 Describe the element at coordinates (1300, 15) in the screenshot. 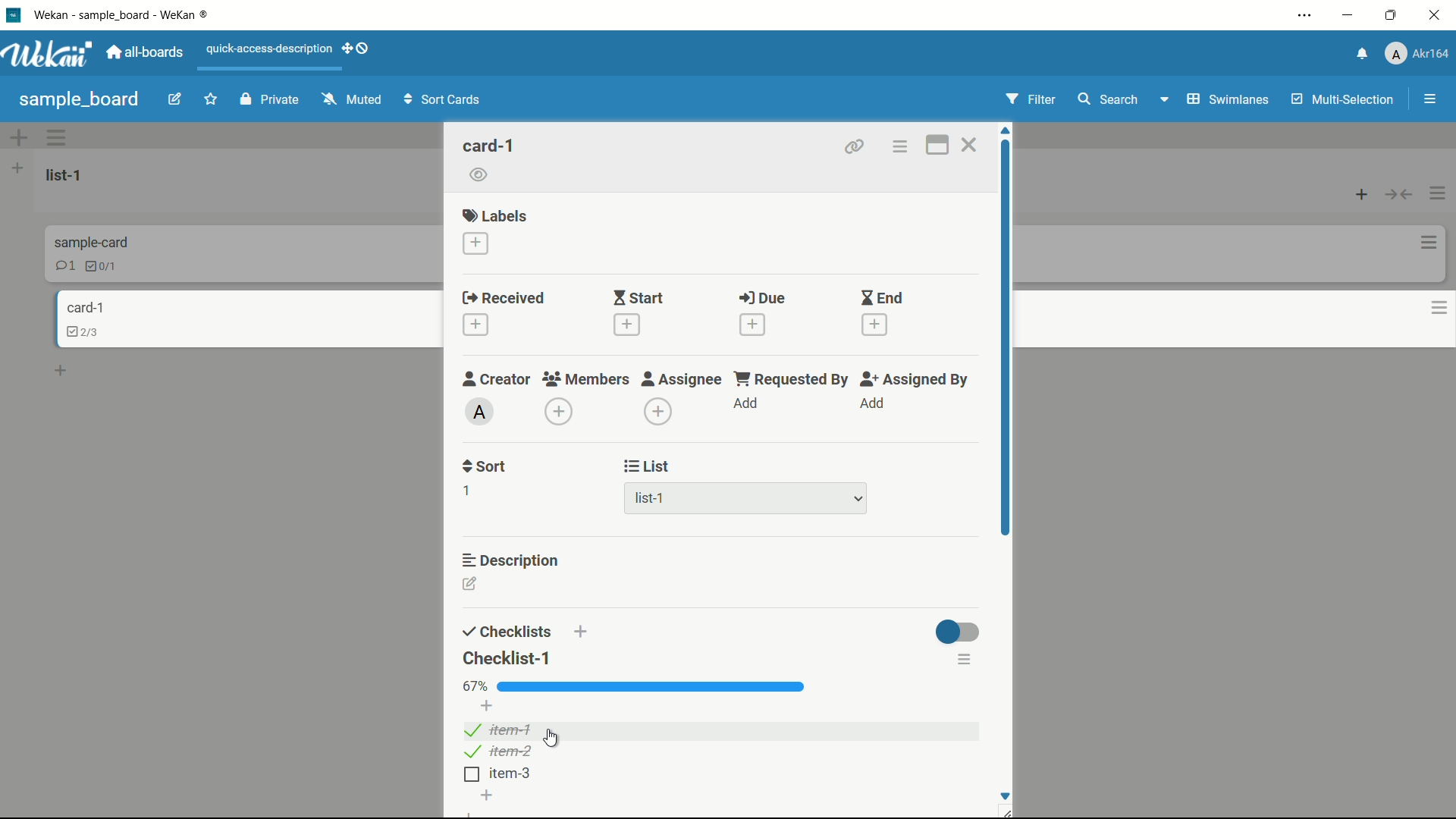

I see `settings and more` at that location.